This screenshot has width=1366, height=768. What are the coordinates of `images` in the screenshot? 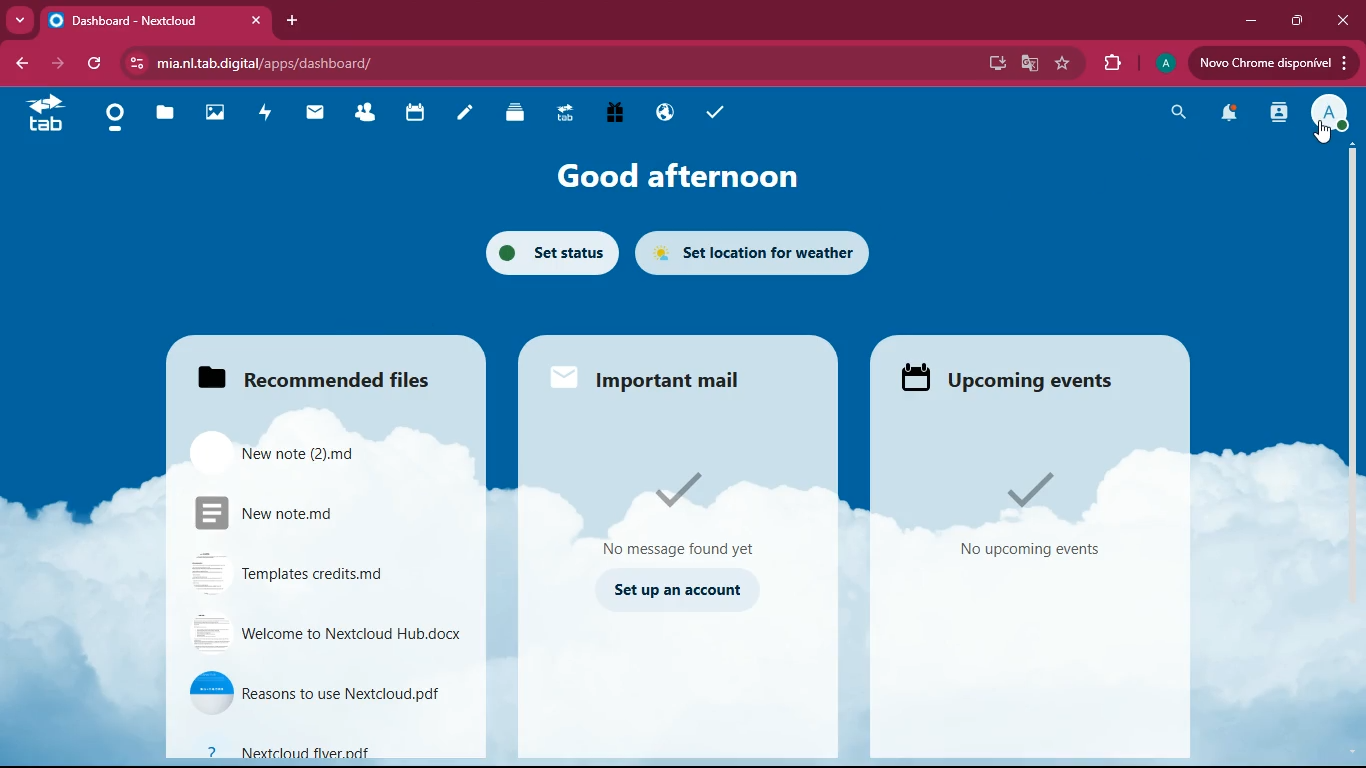 It's located at (221, 114).